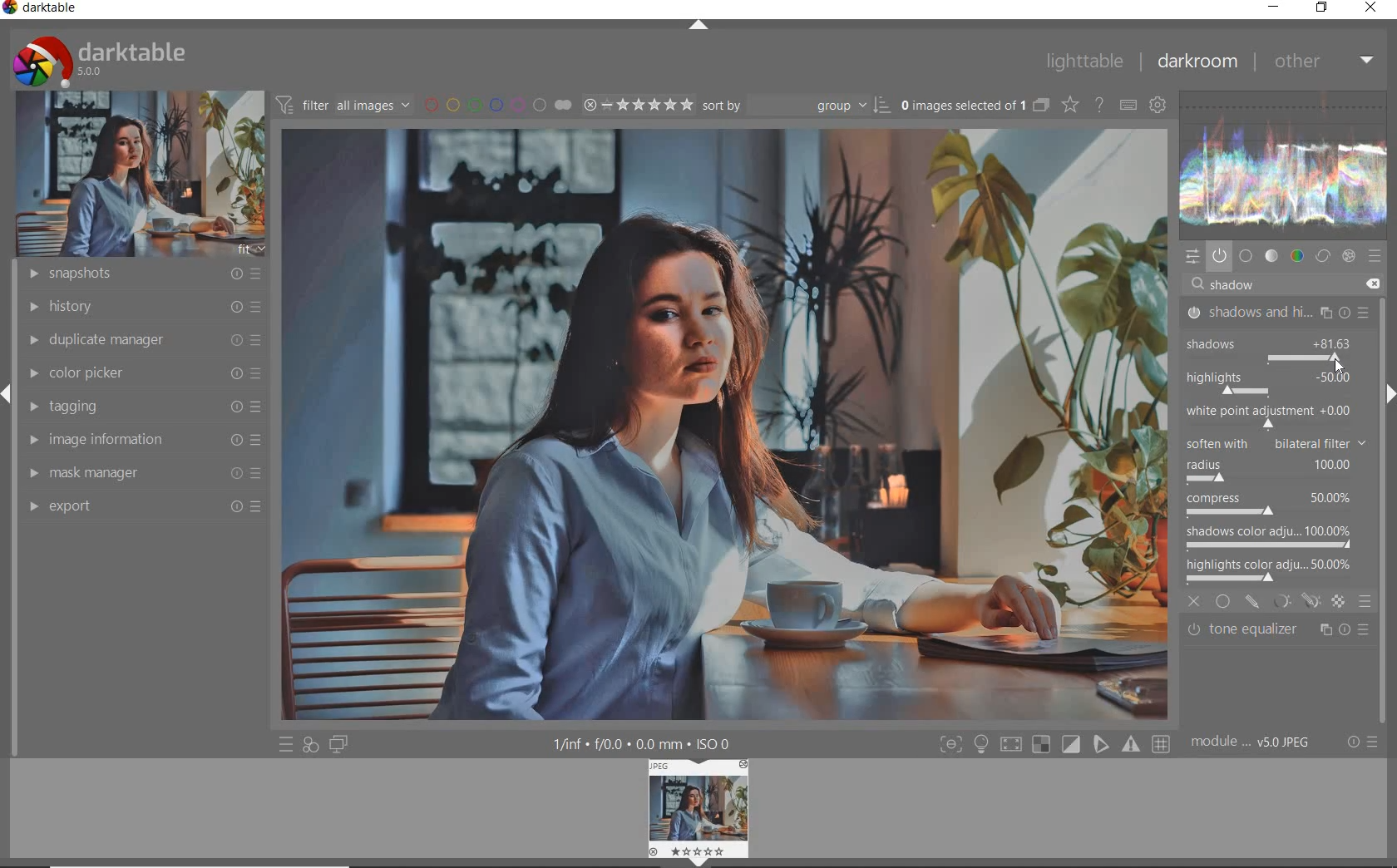 The width and height of the screenshot is (1397, 868). Describe the element at coordinates (1194, 599) in the screenshot. I see `close` at that location.